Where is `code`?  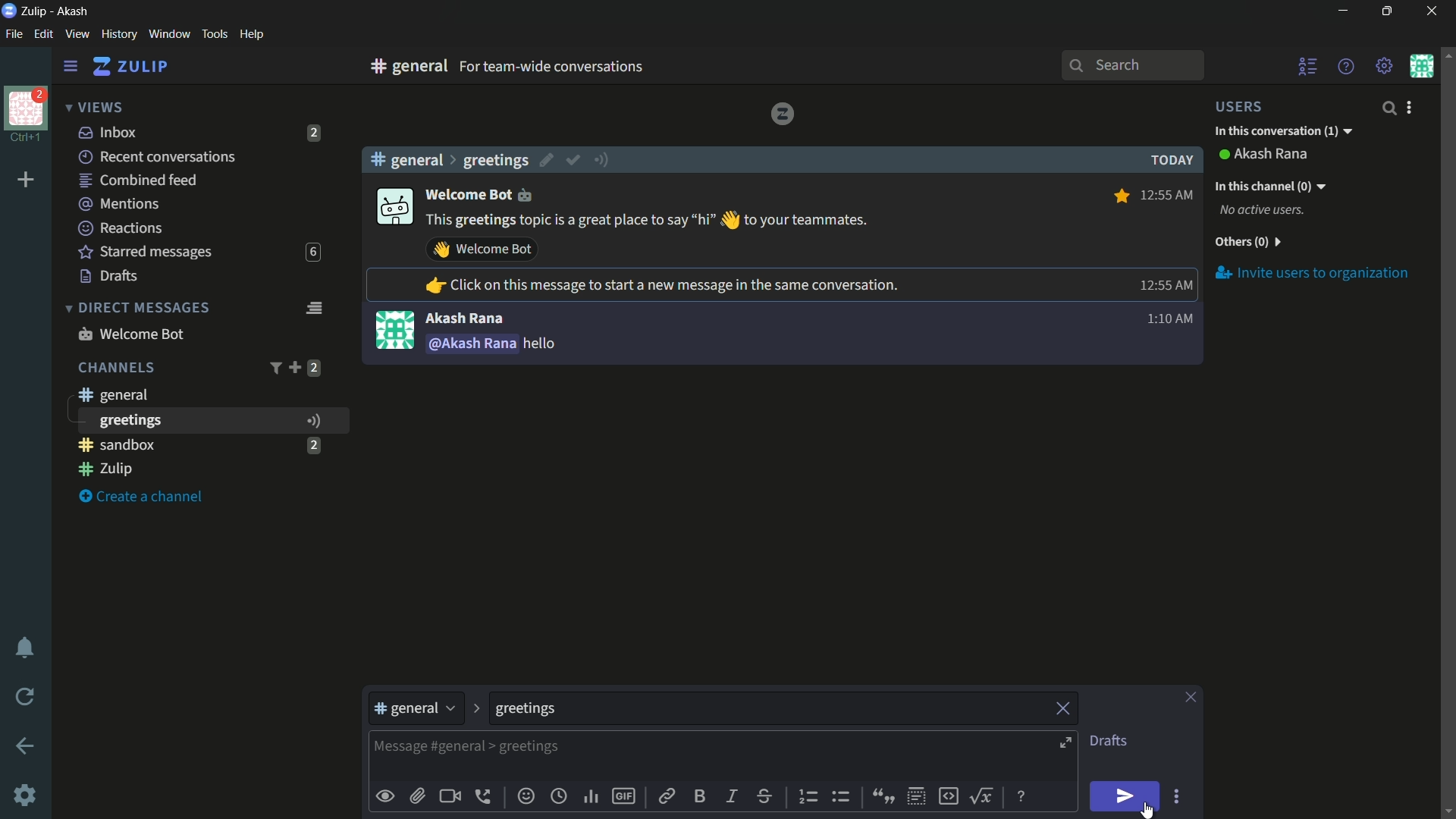 code is located at coordinates (948, 795).